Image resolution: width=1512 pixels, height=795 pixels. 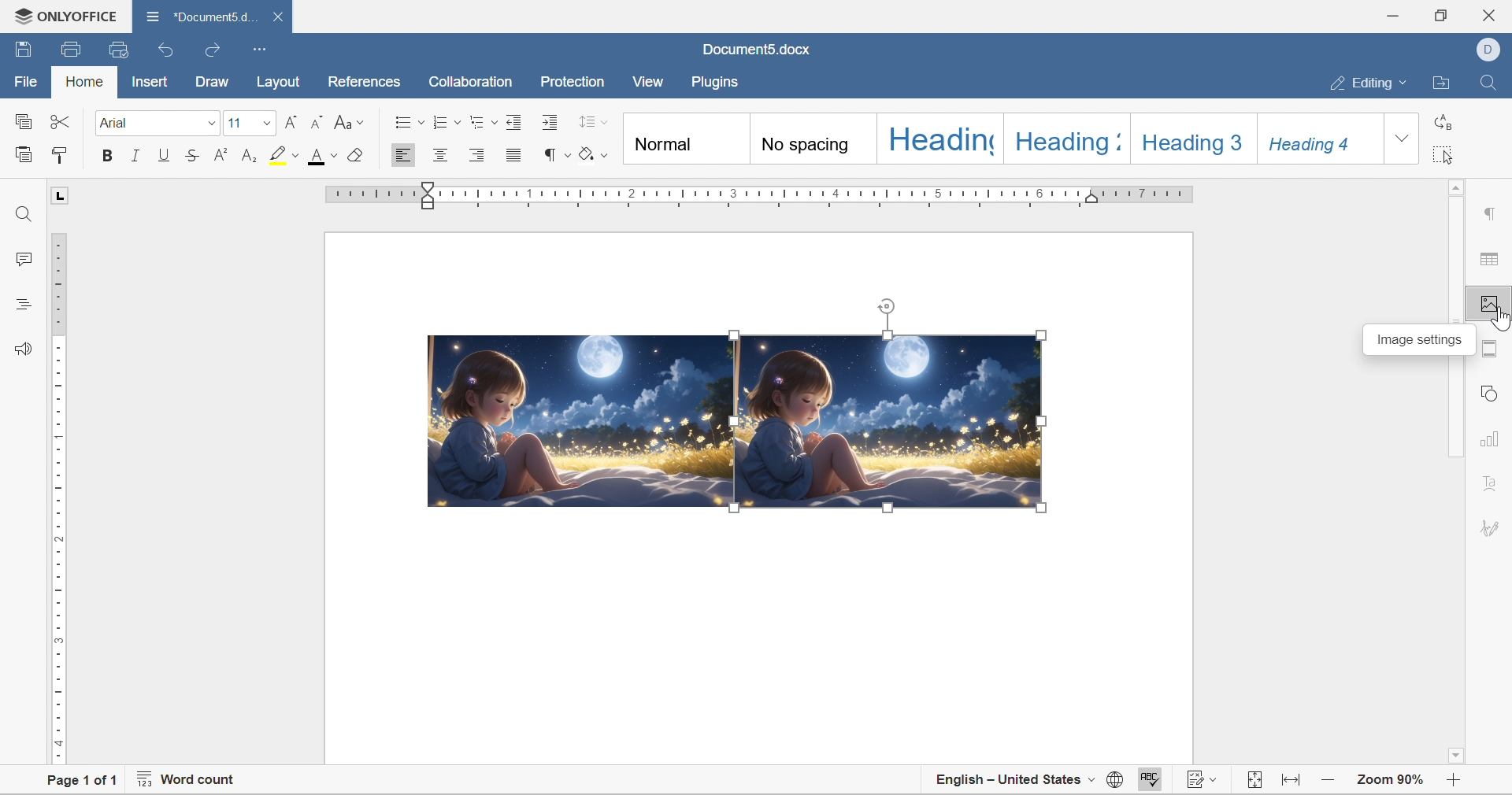 What do you see at coordinates (350, 124) in the screenshot?
I see `Change case` at bounding box center [350, 124].